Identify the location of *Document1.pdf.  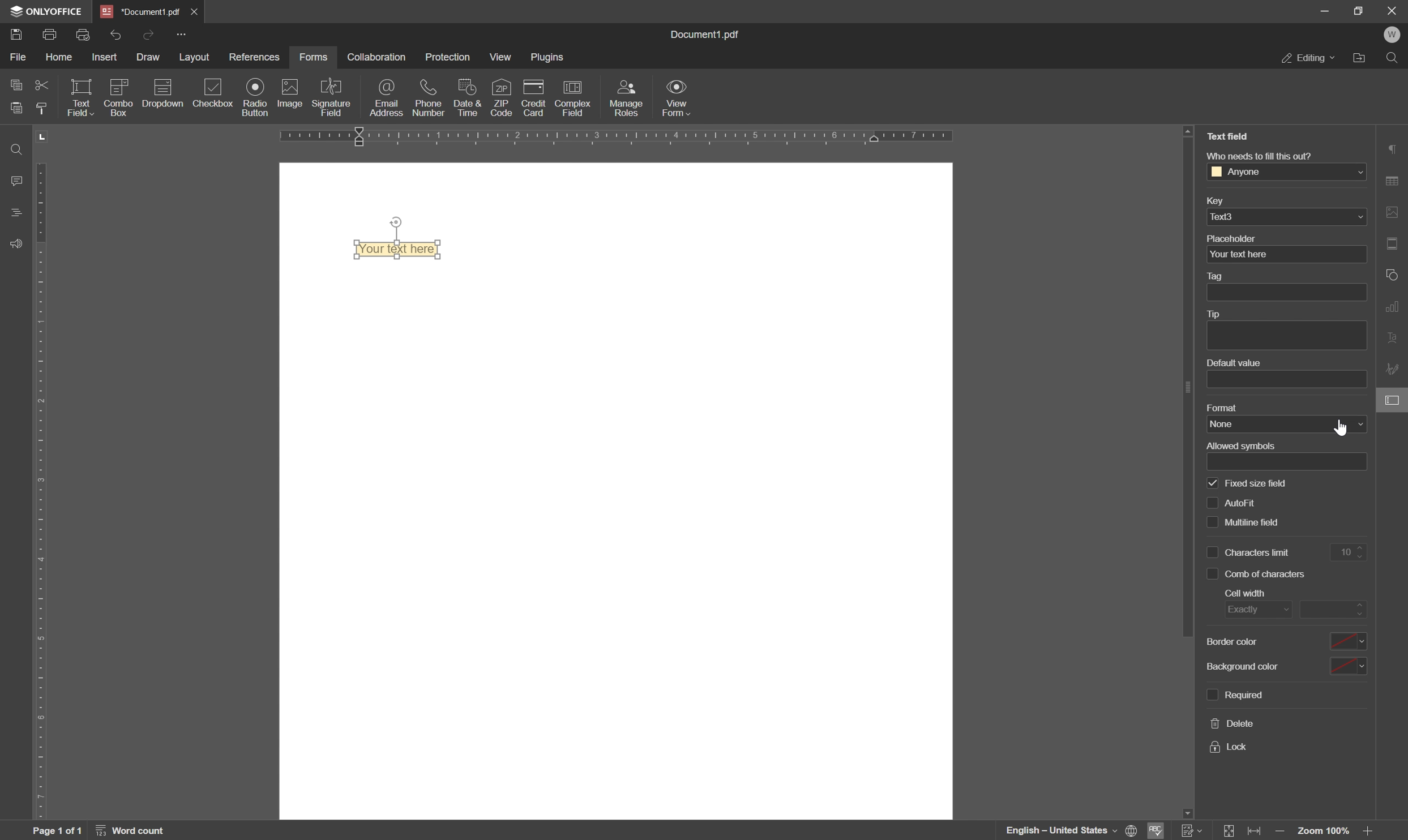
(196, 11).